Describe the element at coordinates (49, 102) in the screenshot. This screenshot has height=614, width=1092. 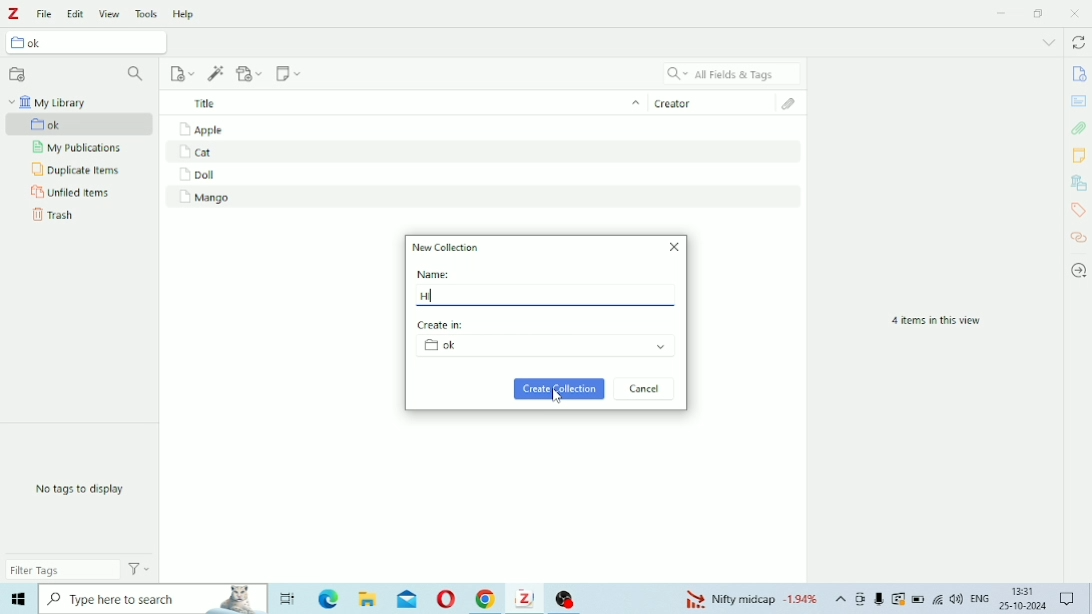
I see `My Library` at that location.